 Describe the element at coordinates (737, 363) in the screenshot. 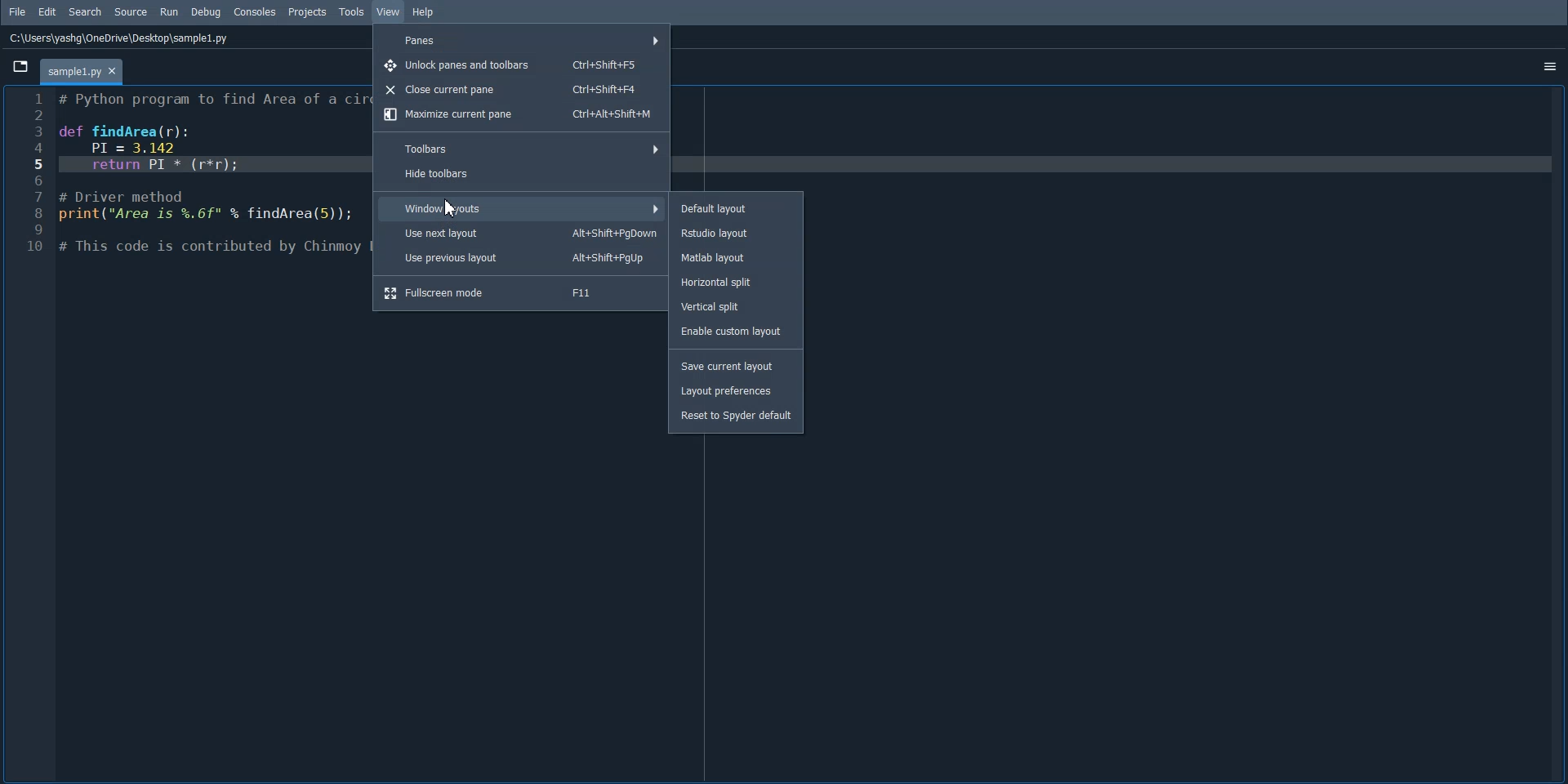

I see `Save current Layout` at that location.